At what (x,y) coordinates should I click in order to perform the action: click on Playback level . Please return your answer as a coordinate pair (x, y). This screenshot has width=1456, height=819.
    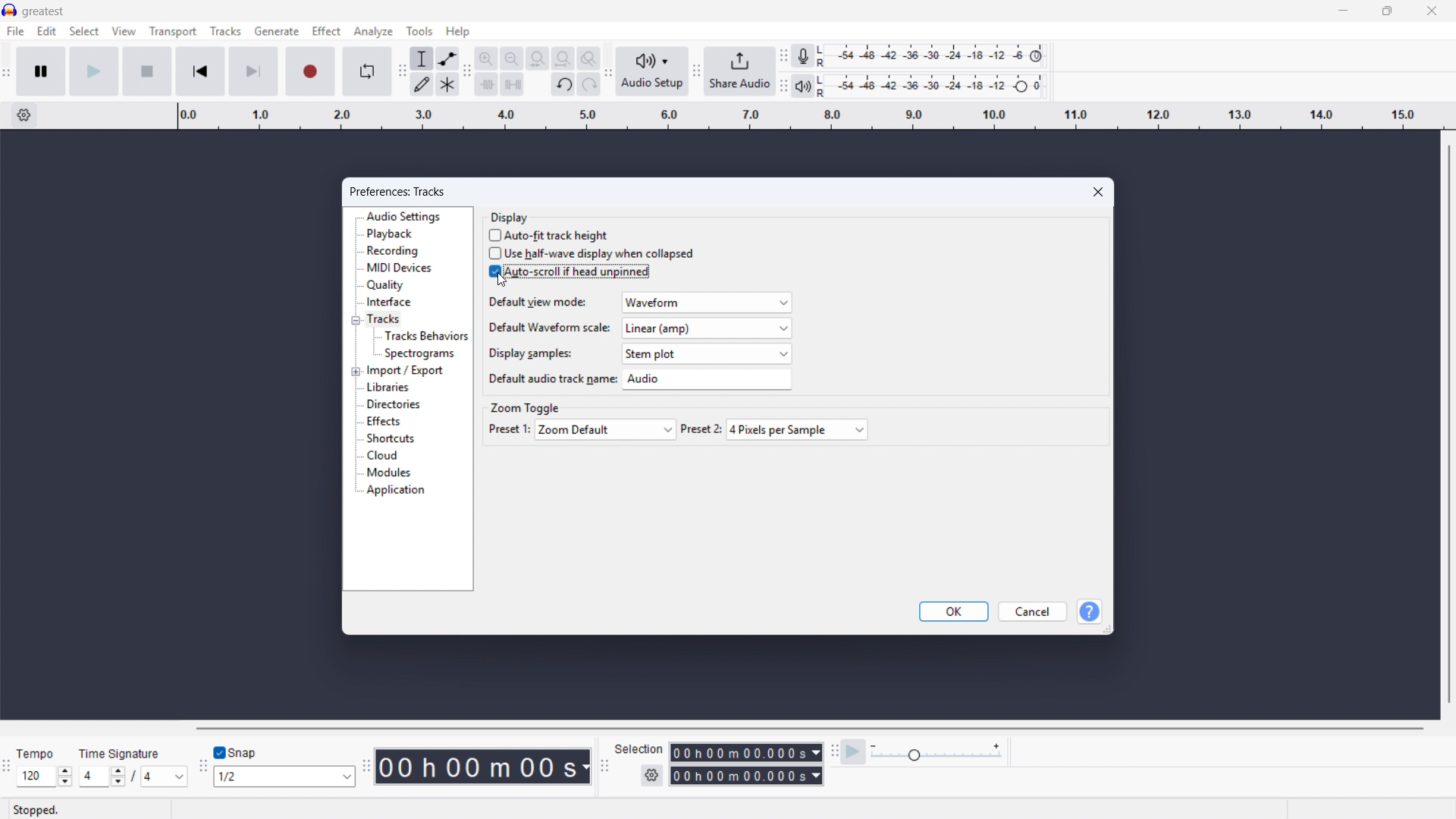
    Looking at the image, I should click on (936, 85).